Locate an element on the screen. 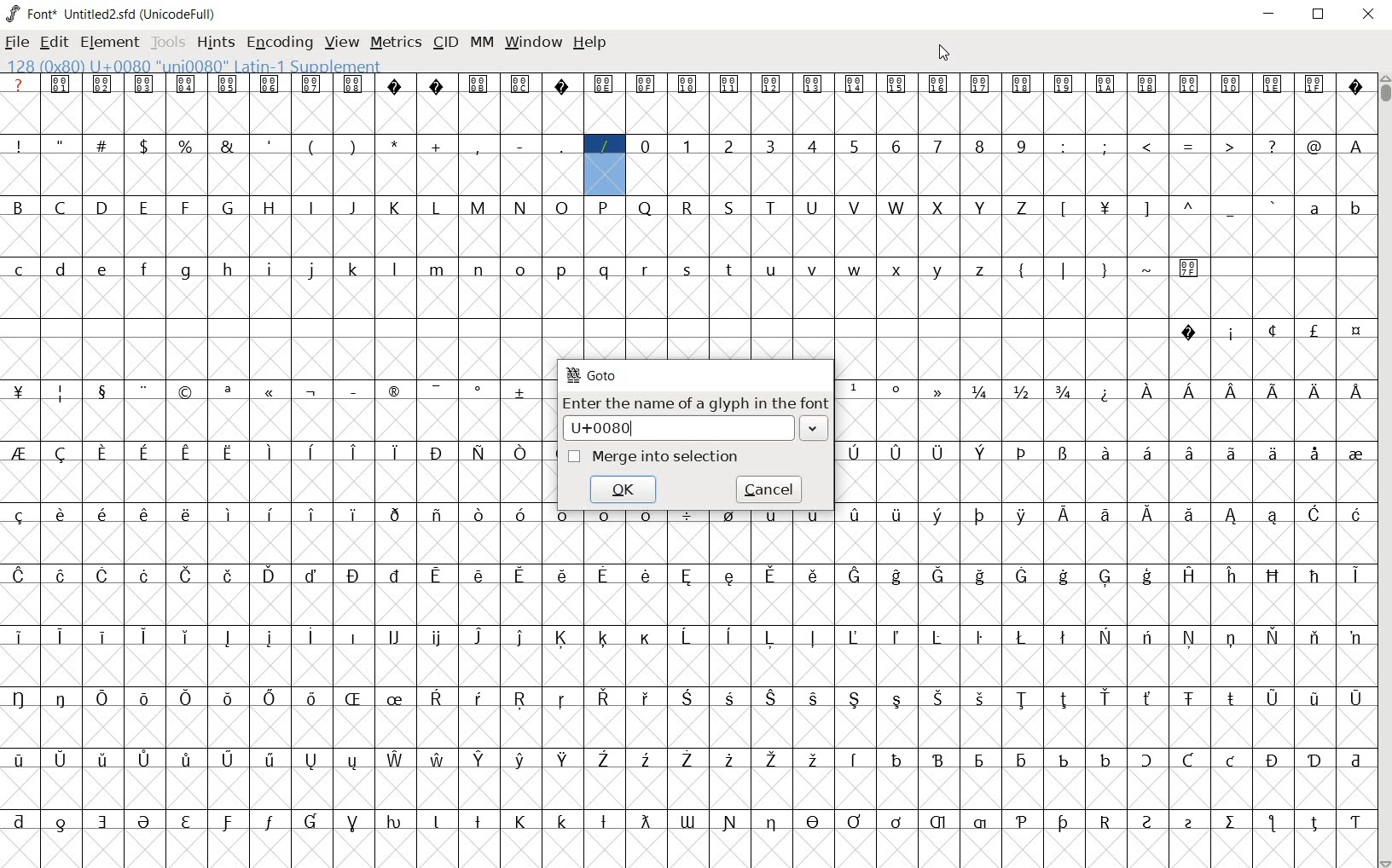  glyph is located at coordinates (312, 393).